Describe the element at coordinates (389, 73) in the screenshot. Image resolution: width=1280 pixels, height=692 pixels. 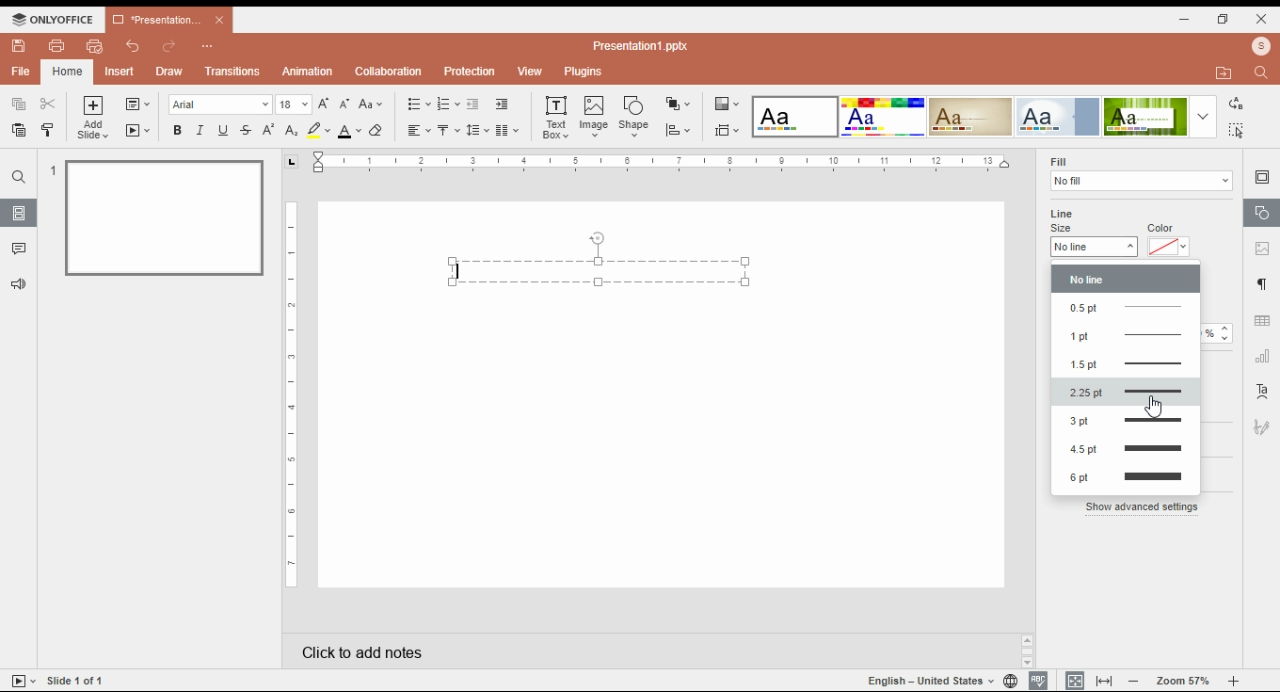
I see `collaboration` at that location.